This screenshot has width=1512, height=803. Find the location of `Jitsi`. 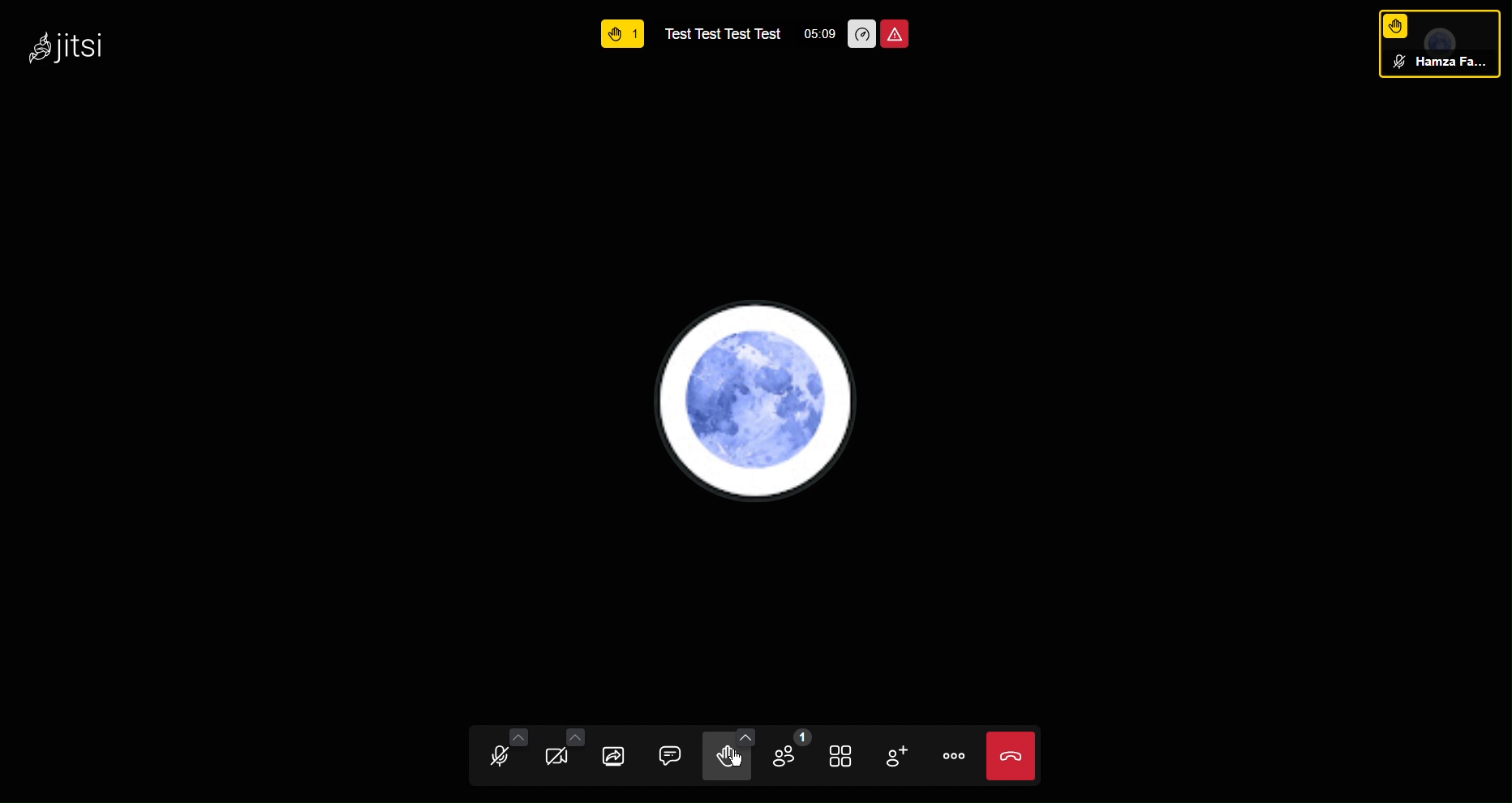

Jitsi is located at coordinates (62, 46).